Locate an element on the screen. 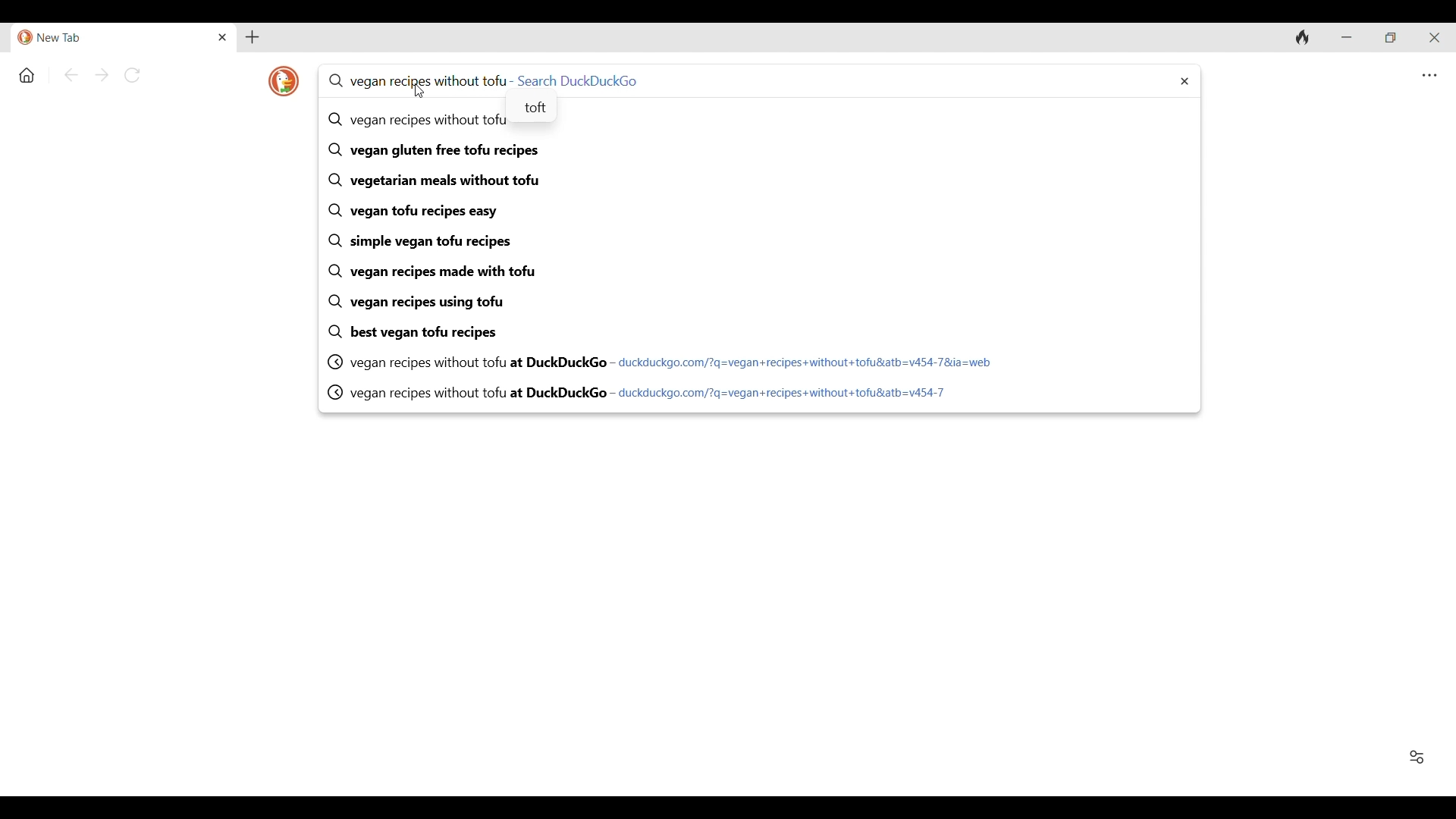 The height and width of the screenshot is (819, 1456). Cursor is located at coordinates (419, 91).